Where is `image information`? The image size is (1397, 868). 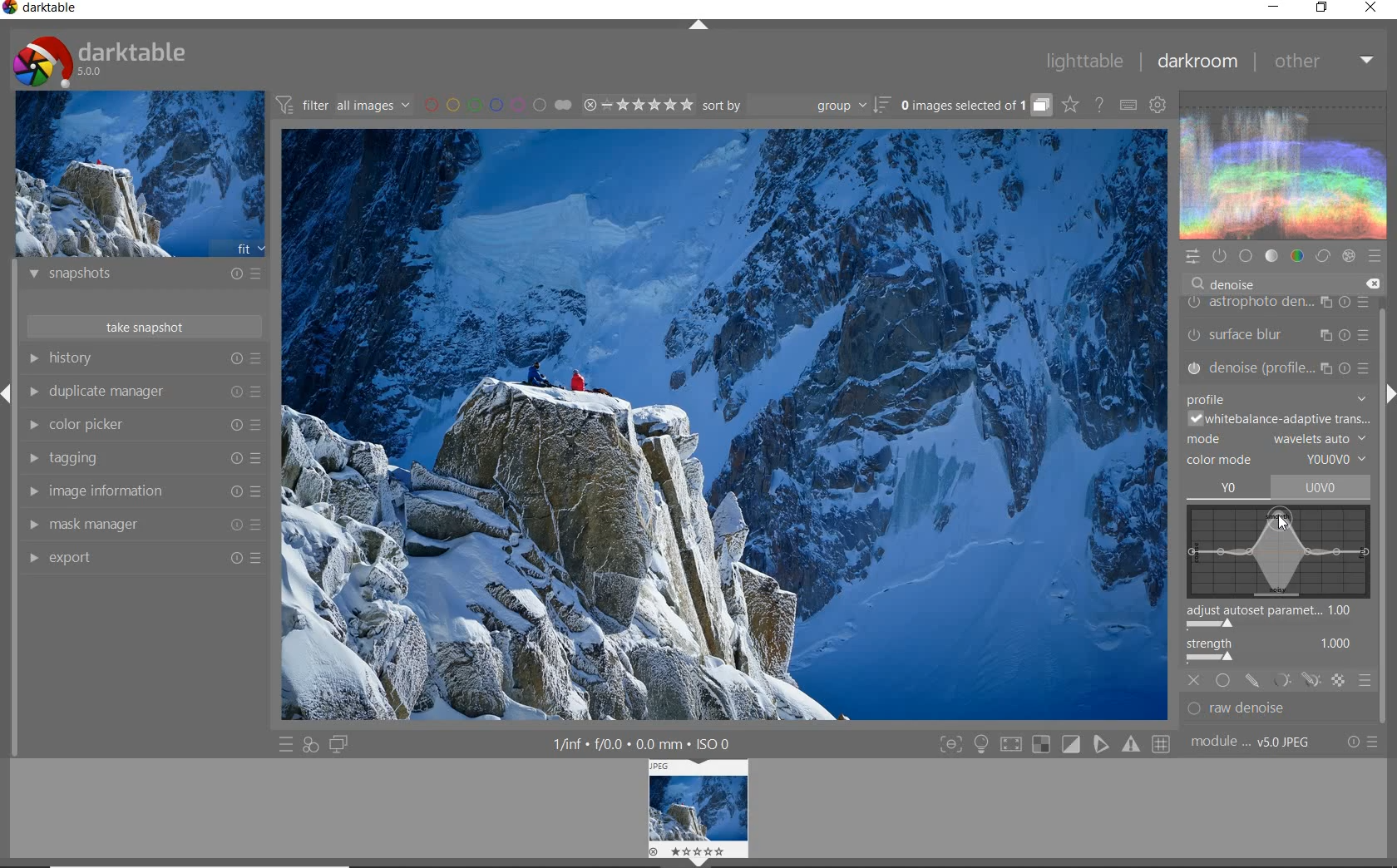
image information is located at coordinates (143, 491).